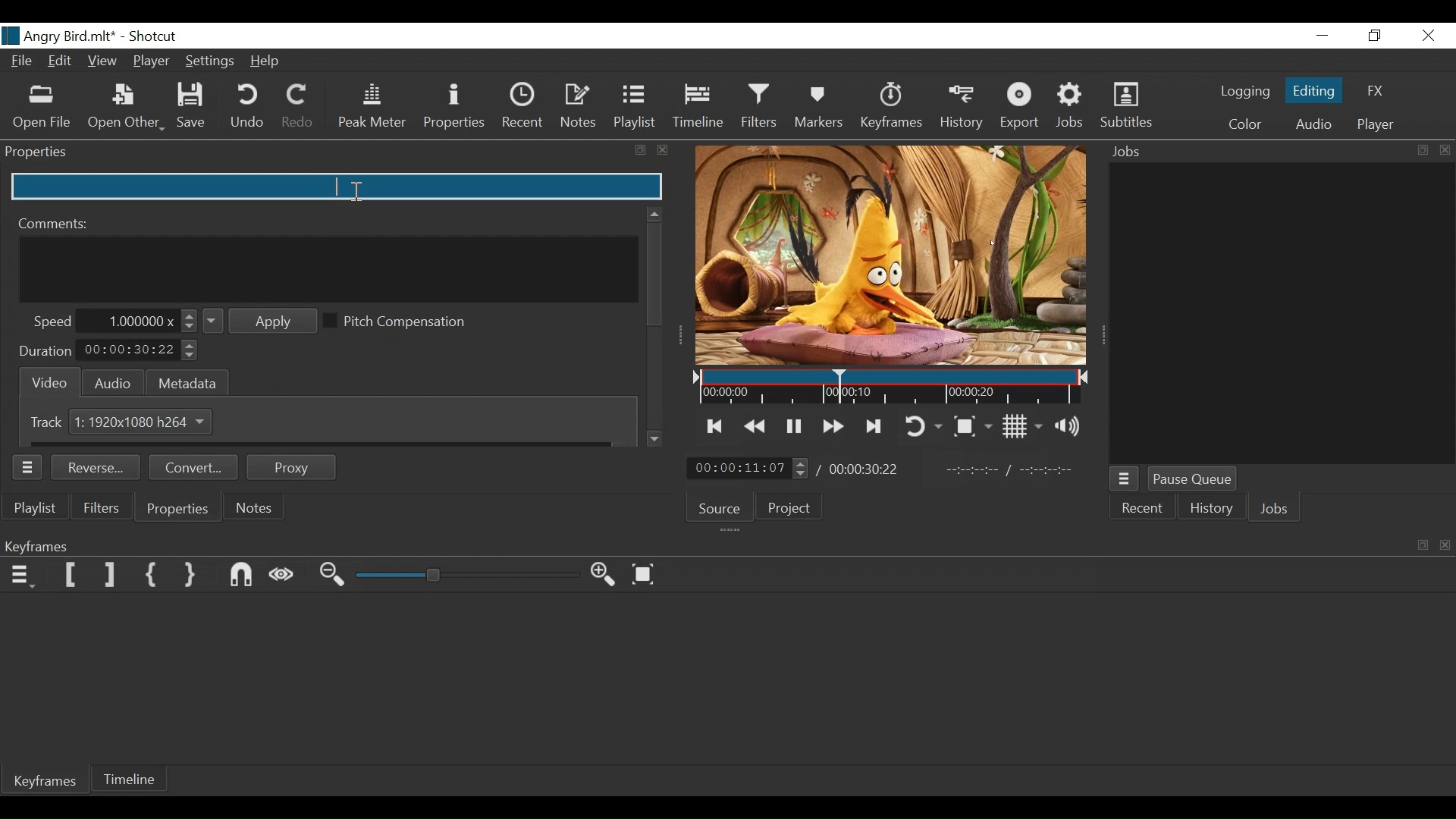 The height and width of the screenshot is (819, 1456). Describe the element at coordinates (1025, 426) in the screenshot. I see `Toggle display grid on player` at that location.